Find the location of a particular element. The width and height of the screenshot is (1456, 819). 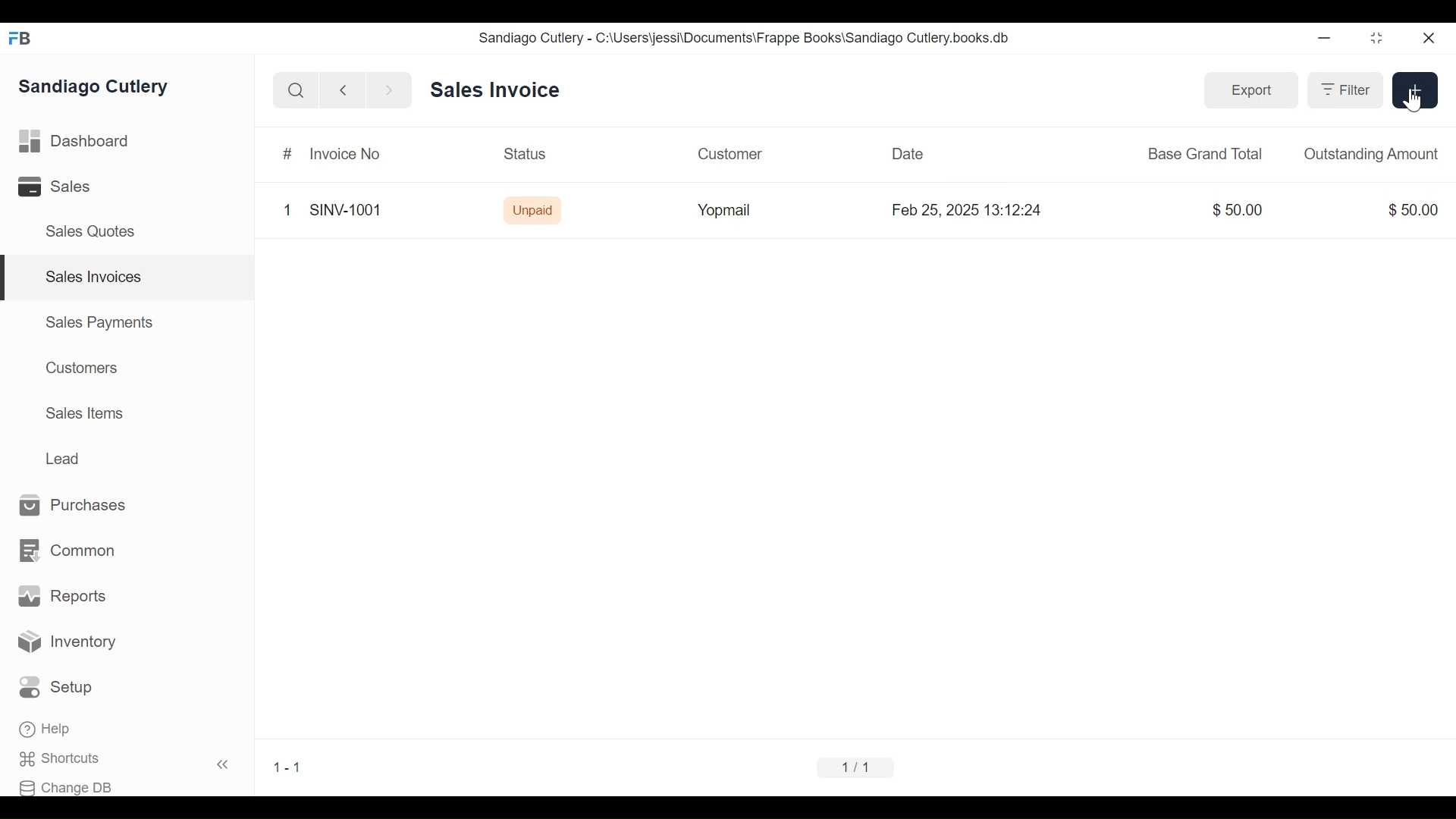

# Invoice No is located at coordinates (330, 153).